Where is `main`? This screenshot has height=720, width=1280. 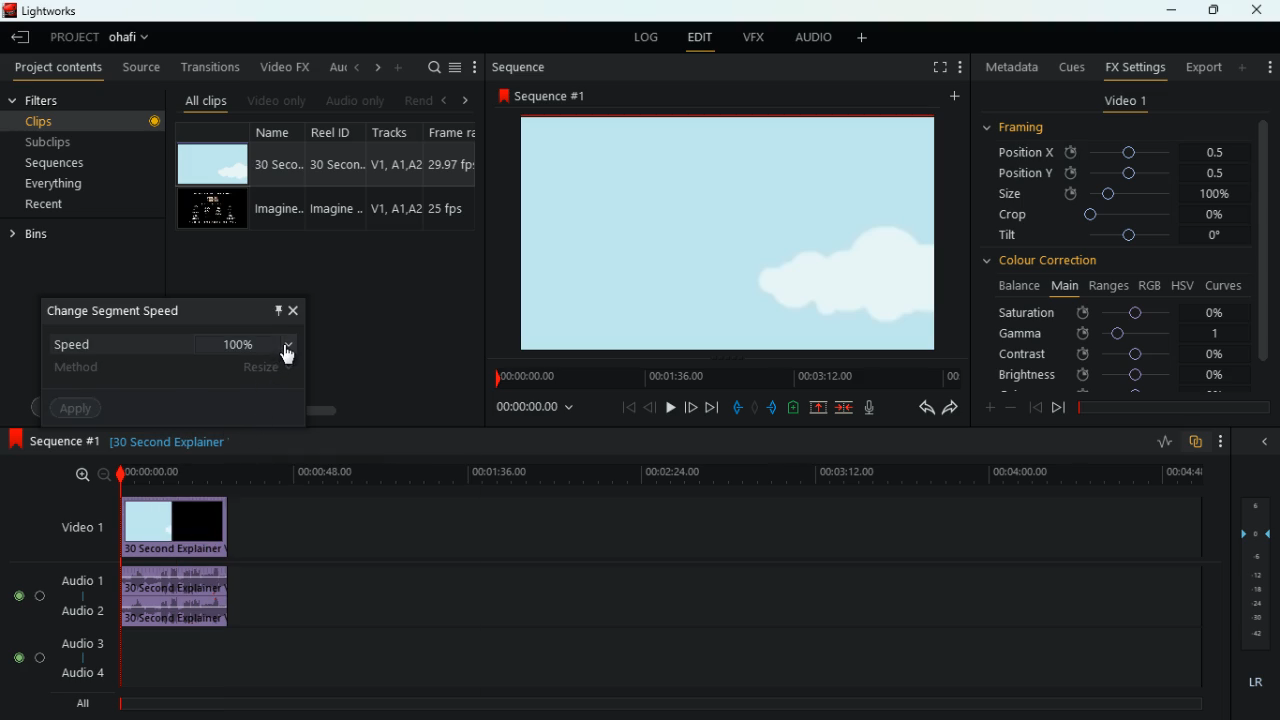 main is located at coordinates (1062, 287).